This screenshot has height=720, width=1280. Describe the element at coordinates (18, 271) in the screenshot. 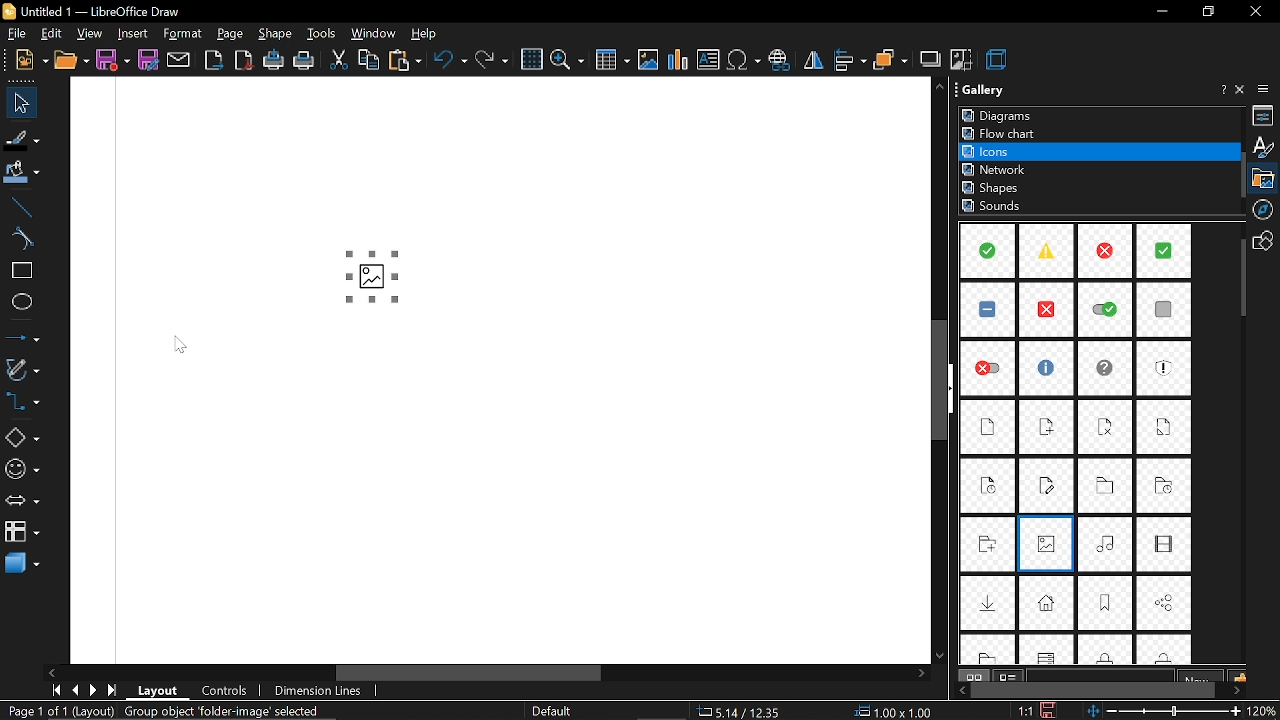

I see `rectangle` at that location.